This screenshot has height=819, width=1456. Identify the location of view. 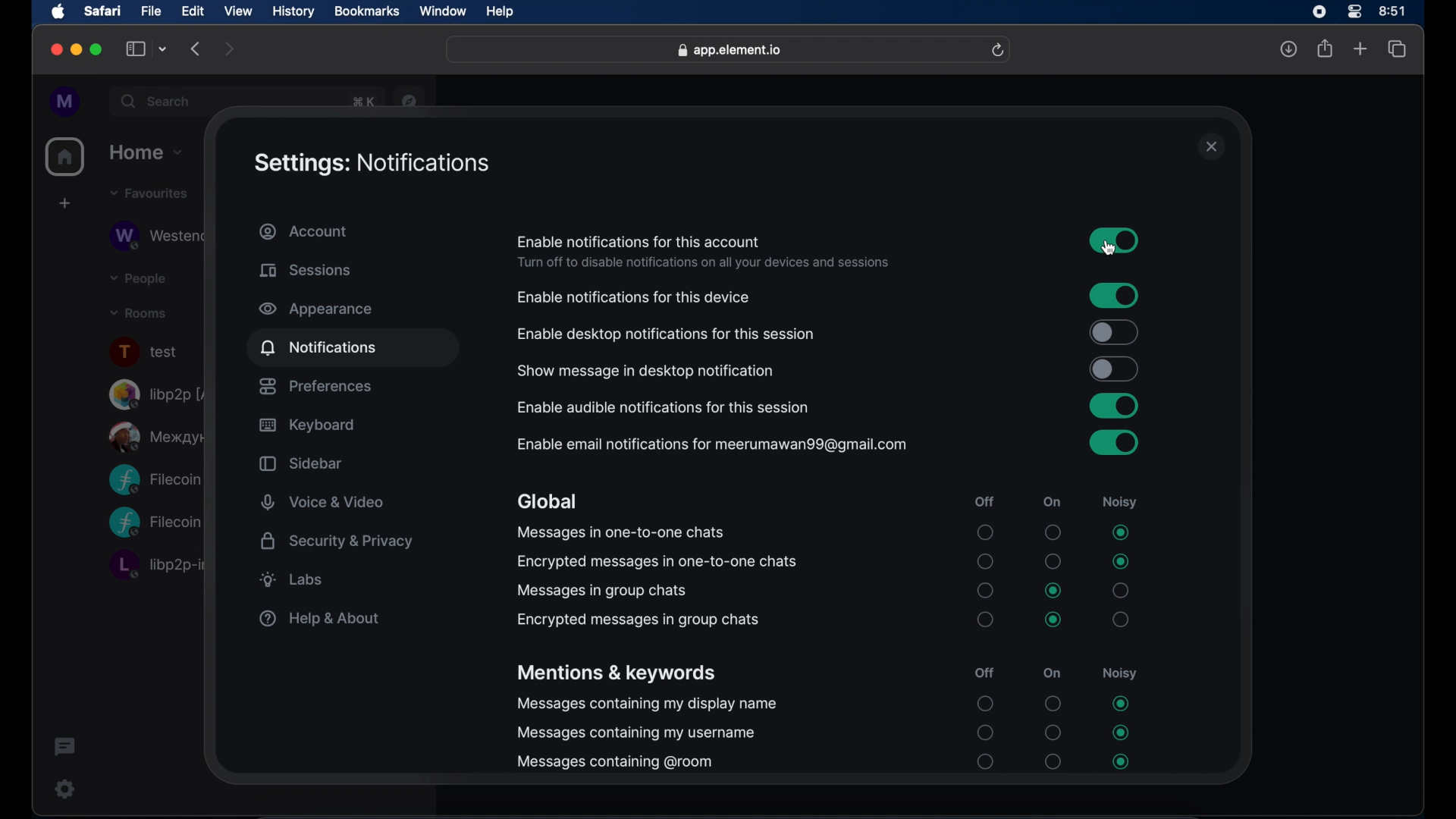
(238, 11).